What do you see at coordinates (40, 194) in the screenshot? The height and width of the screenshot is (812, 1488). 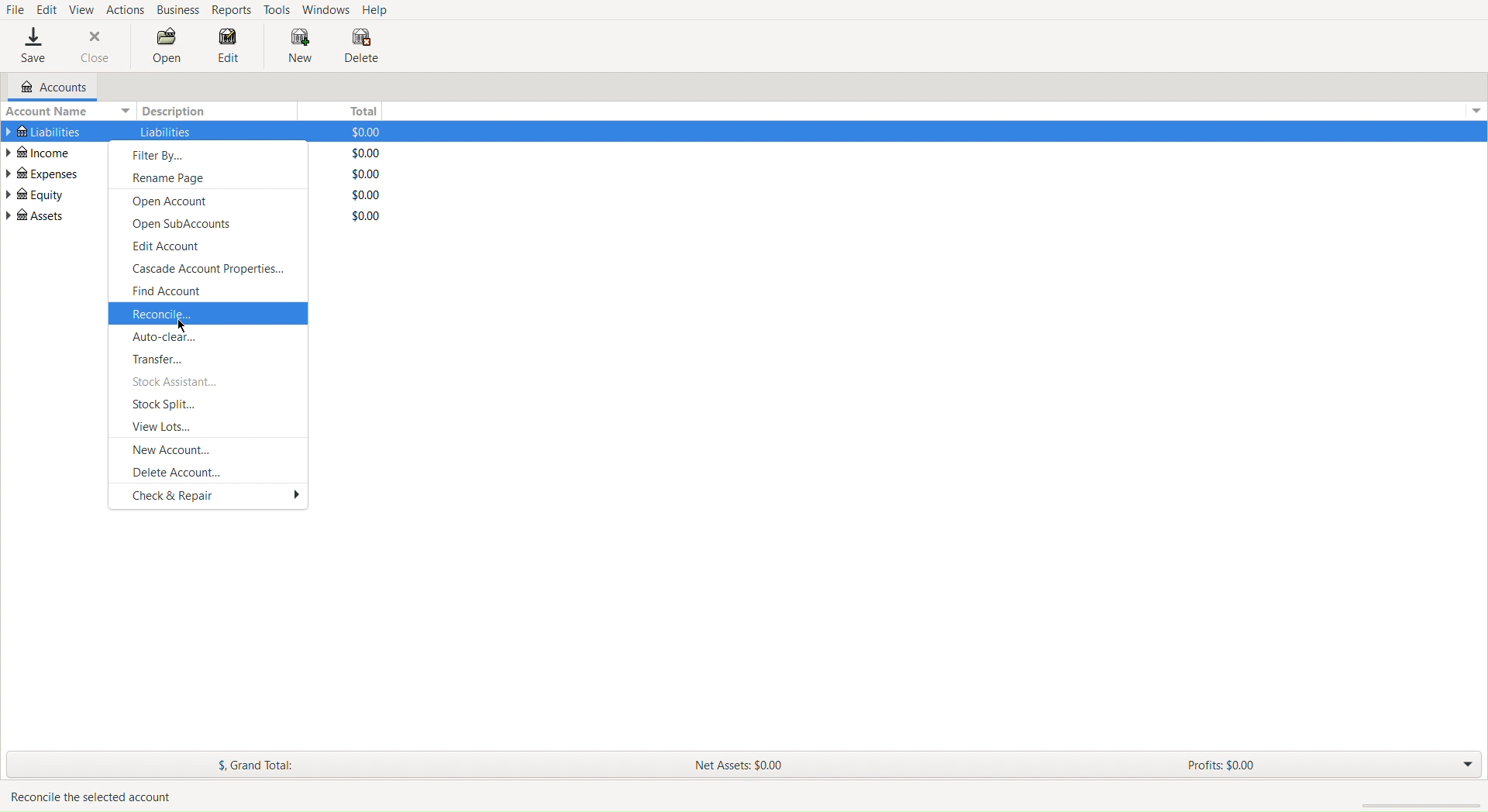 I see `Equity` at bounding box center [40, 194].